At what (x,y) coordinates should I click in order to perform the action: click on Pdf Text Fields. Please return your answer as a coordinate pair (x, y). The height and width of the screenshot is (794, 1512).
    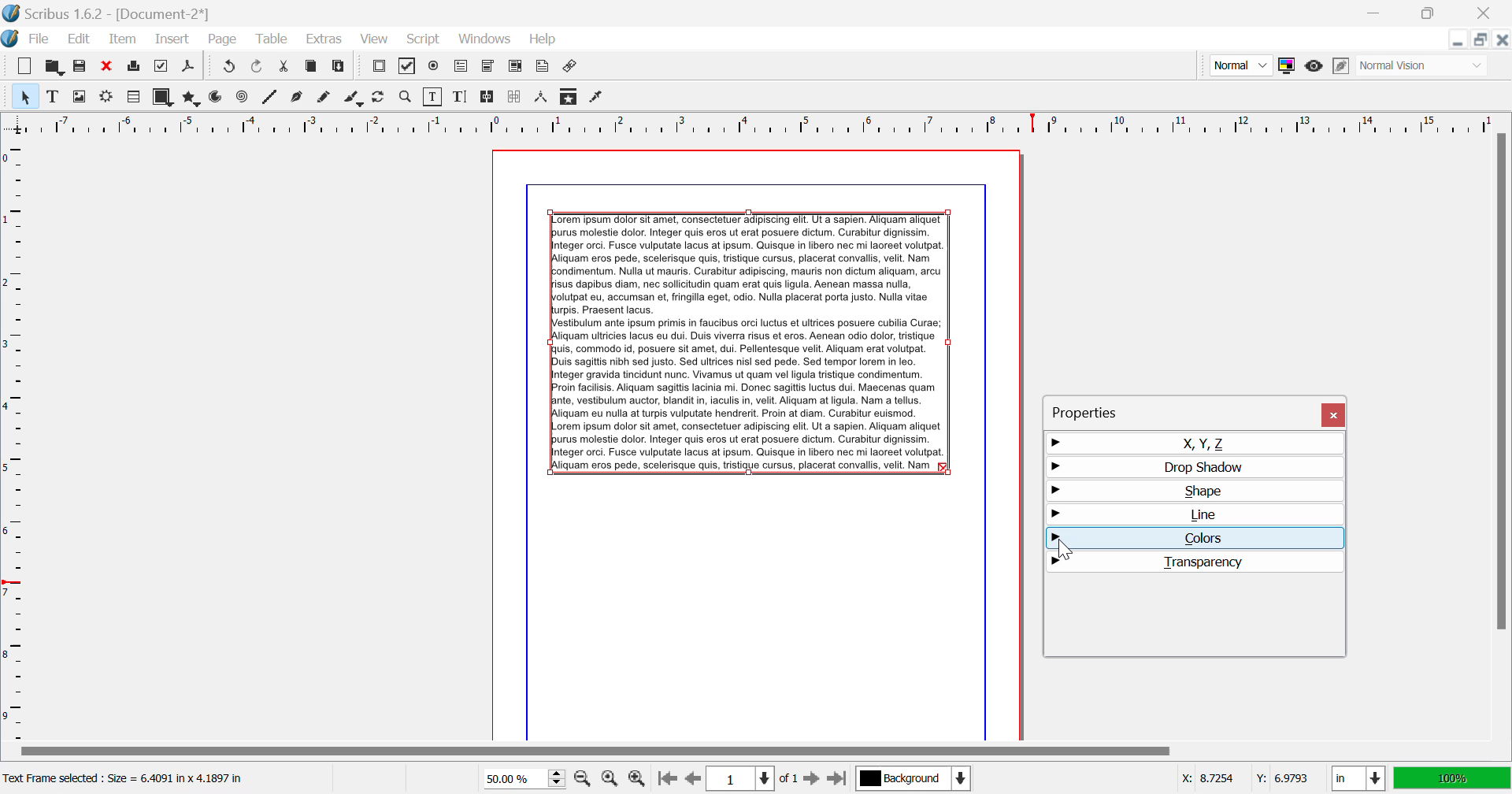
    Looking at the image, I should click on (461, 67).